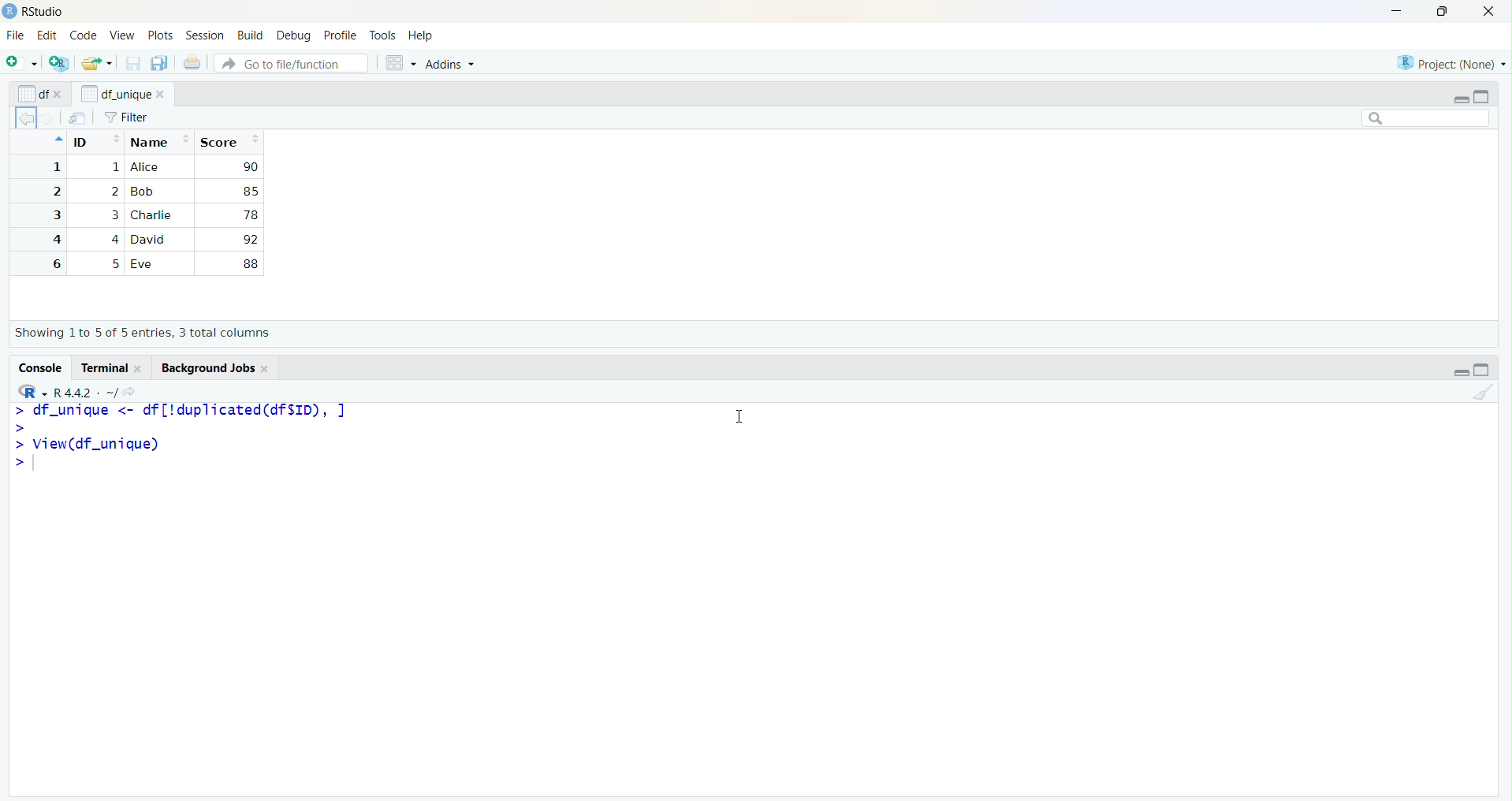 This screenshot has width=1512, height=801. Describe the element at coordinates (97, 64) in the screenshot. I see `open file` at that location.